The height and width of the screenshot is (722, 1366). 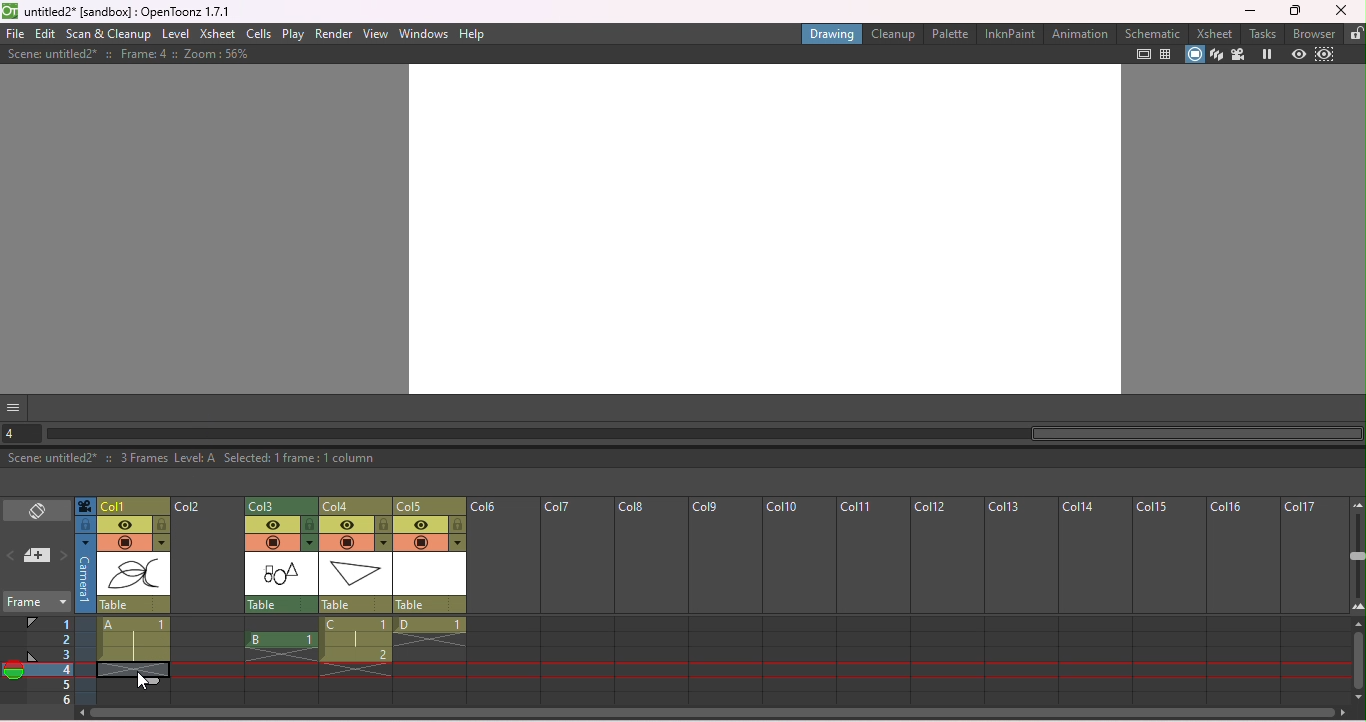 I want to click on zoom in/out, so click(x=1358, y=555).